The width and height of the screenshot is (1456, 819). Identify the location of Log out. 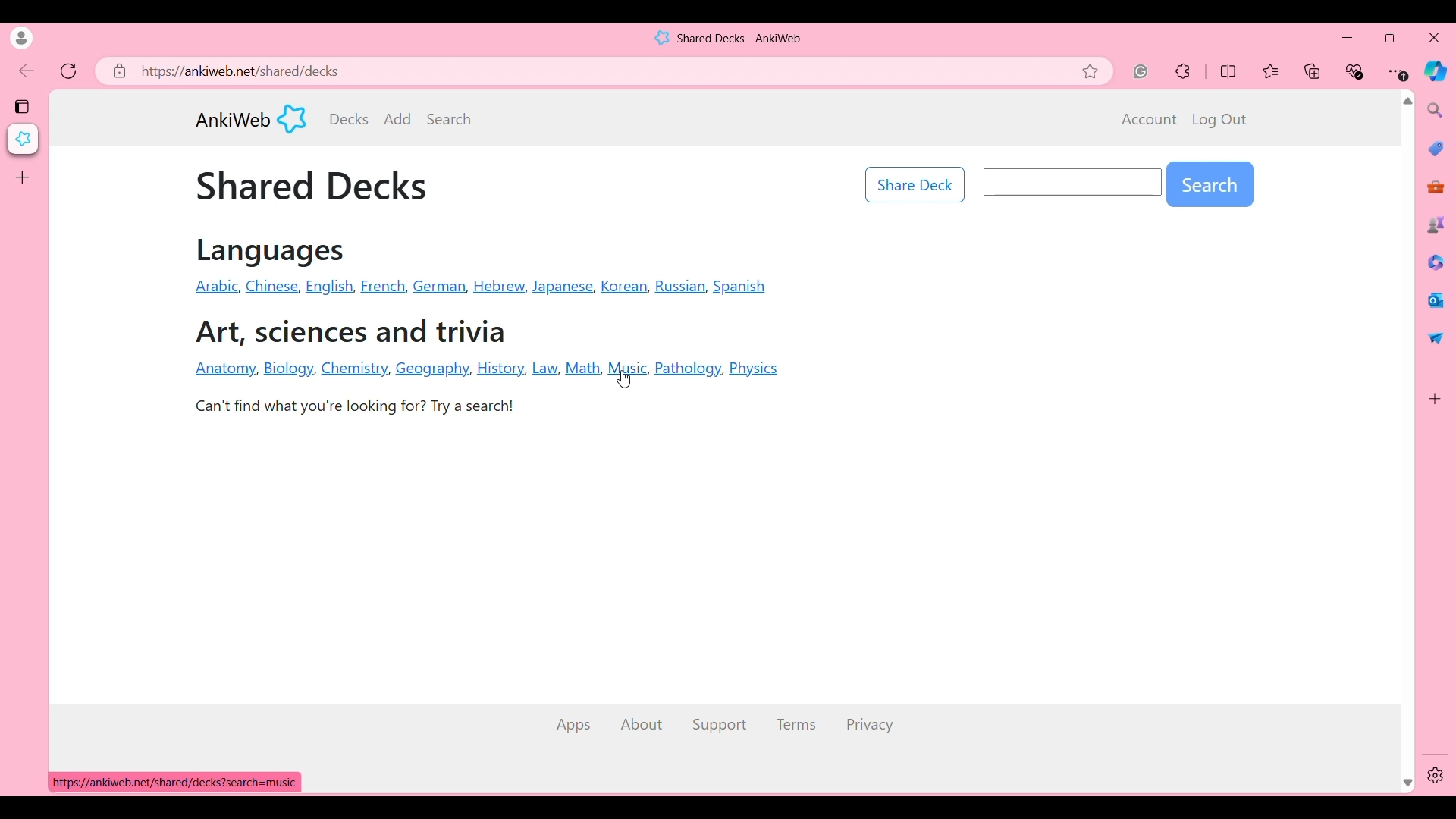
(1219, 120).